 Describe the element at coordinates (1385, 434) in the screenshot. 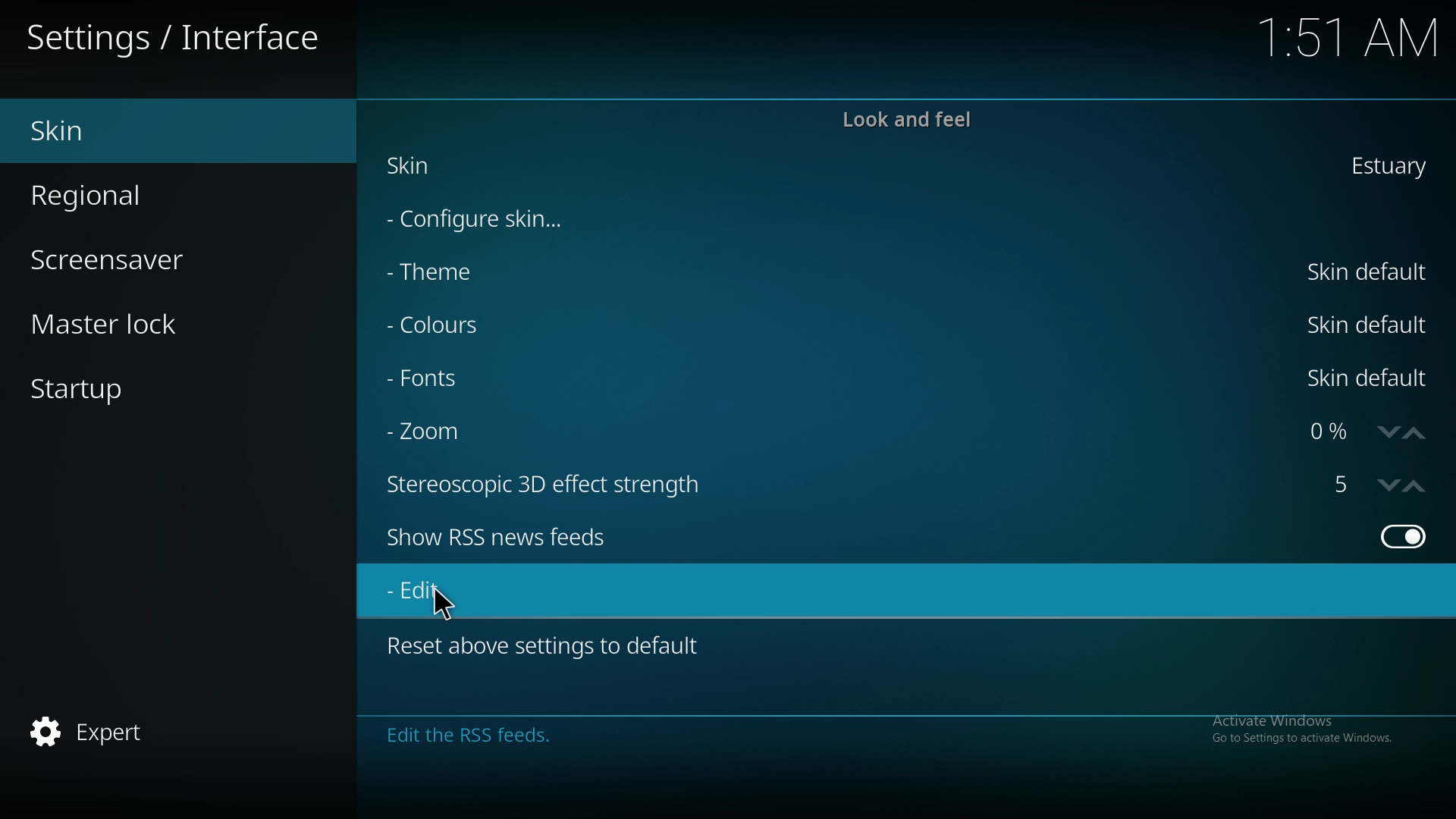

I see `decrease zoom` at that location.